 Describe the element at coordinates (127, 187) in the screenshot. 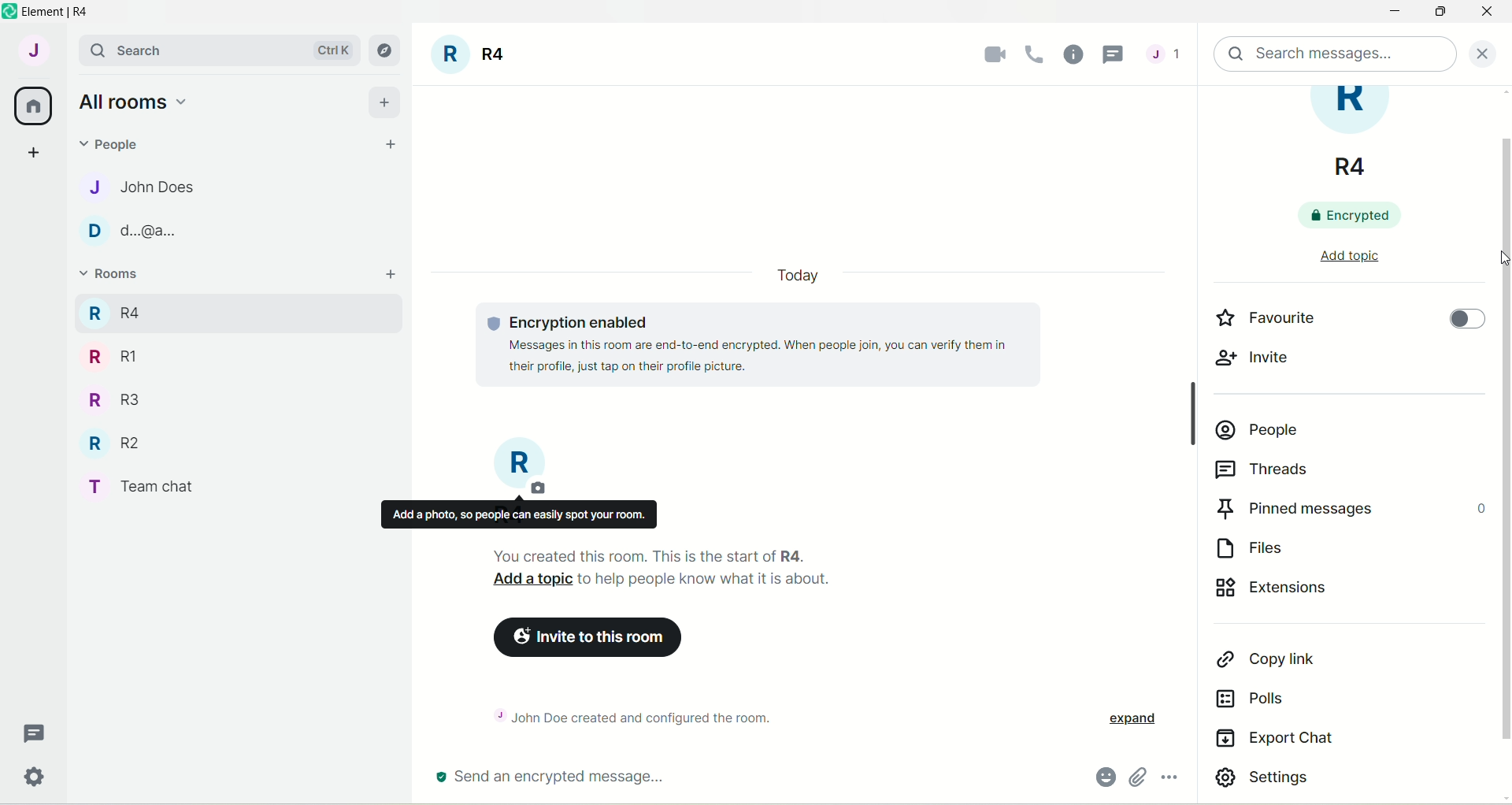

I see `J John Does` at that location.